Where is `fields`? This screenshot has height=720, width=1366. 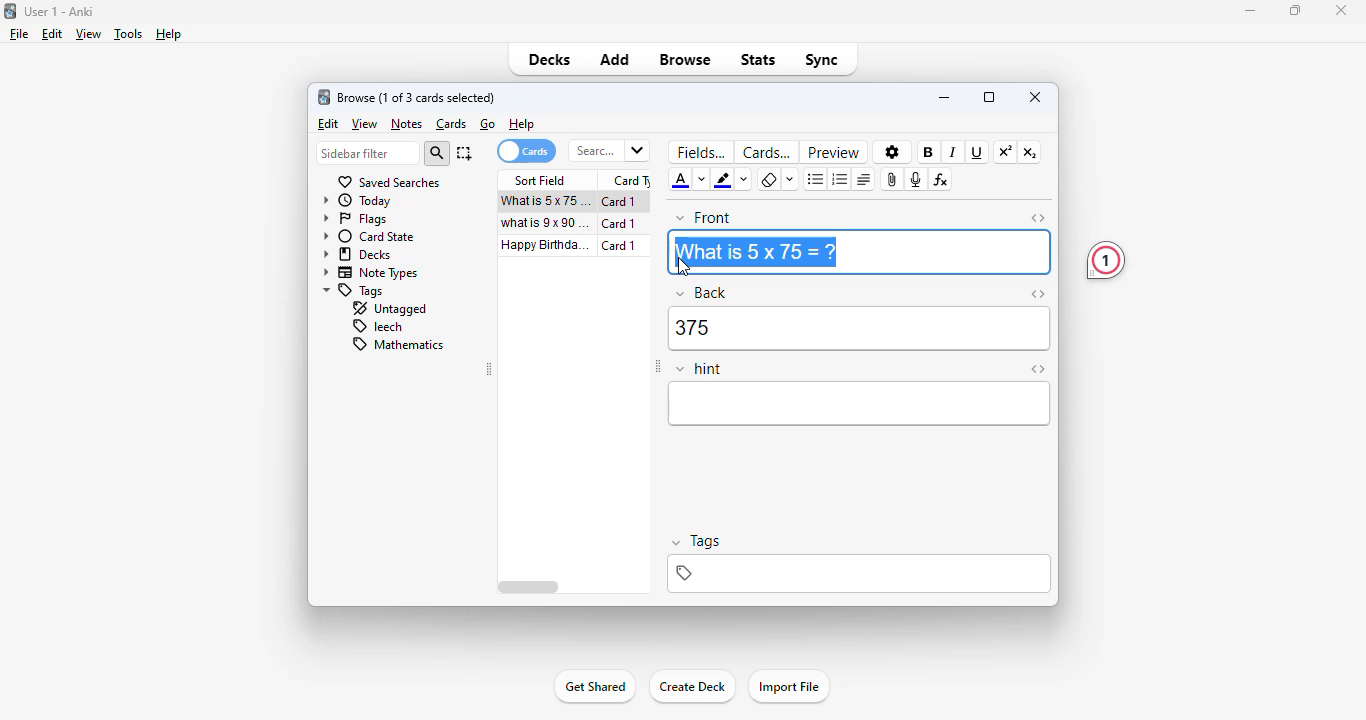
fields is located at coordinates (701, 152).